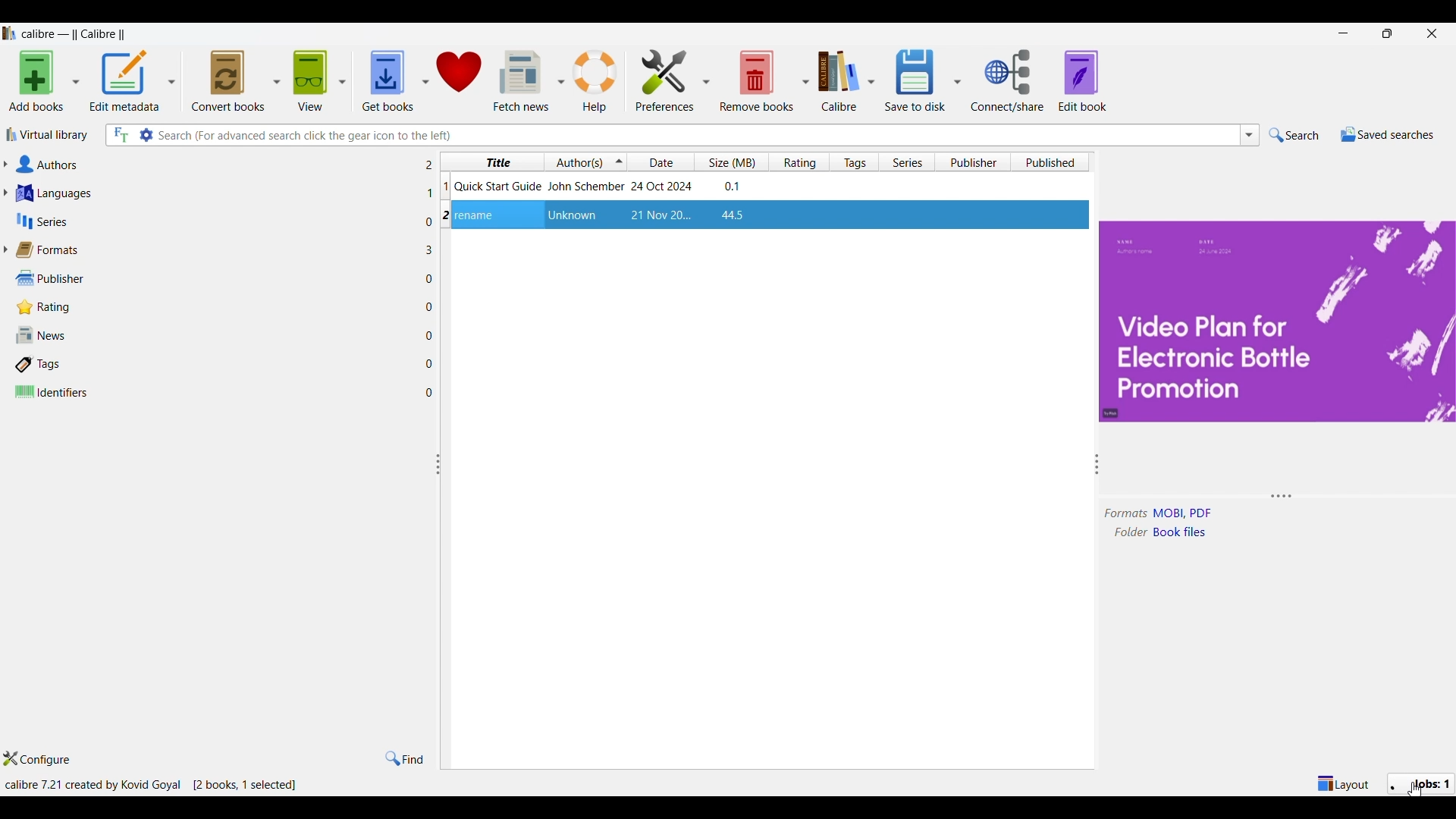  I want to click on Search, so click(1294, 135).